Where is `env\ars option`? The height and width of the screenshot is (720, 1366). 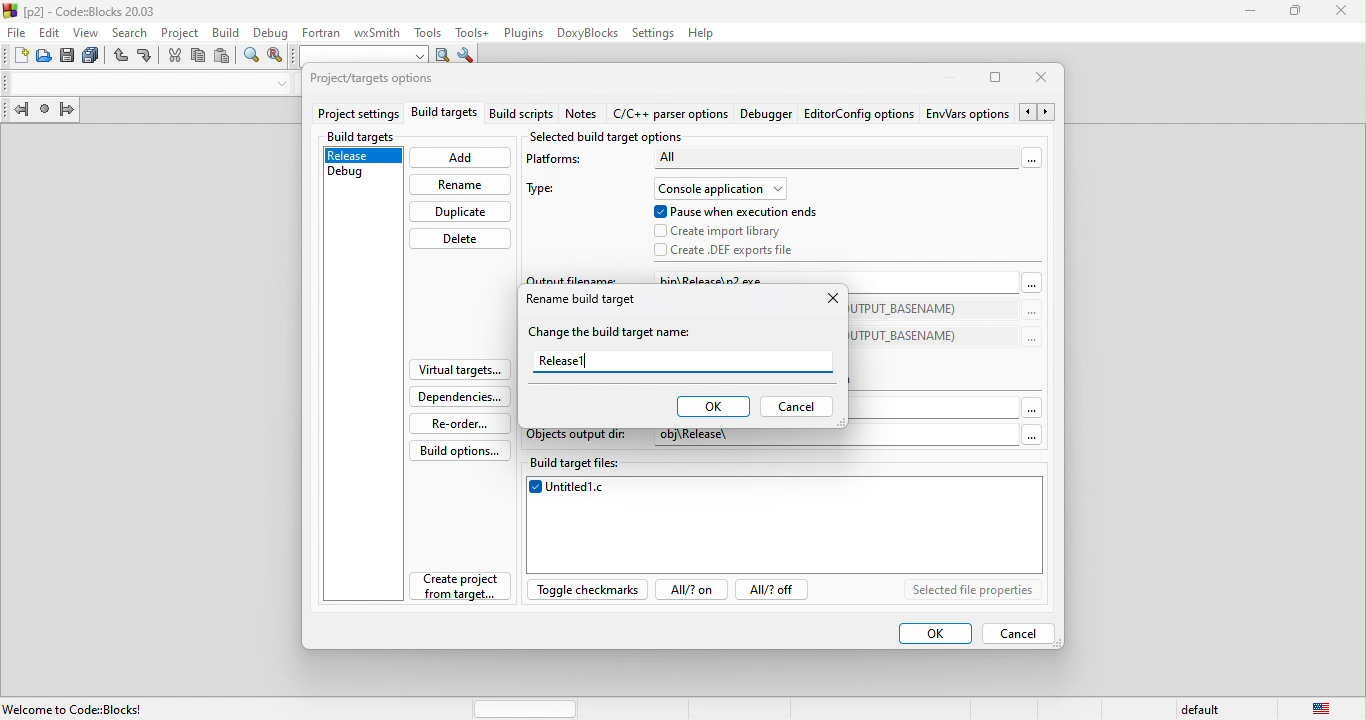
env\ars option is located at coordinates (967, 113).